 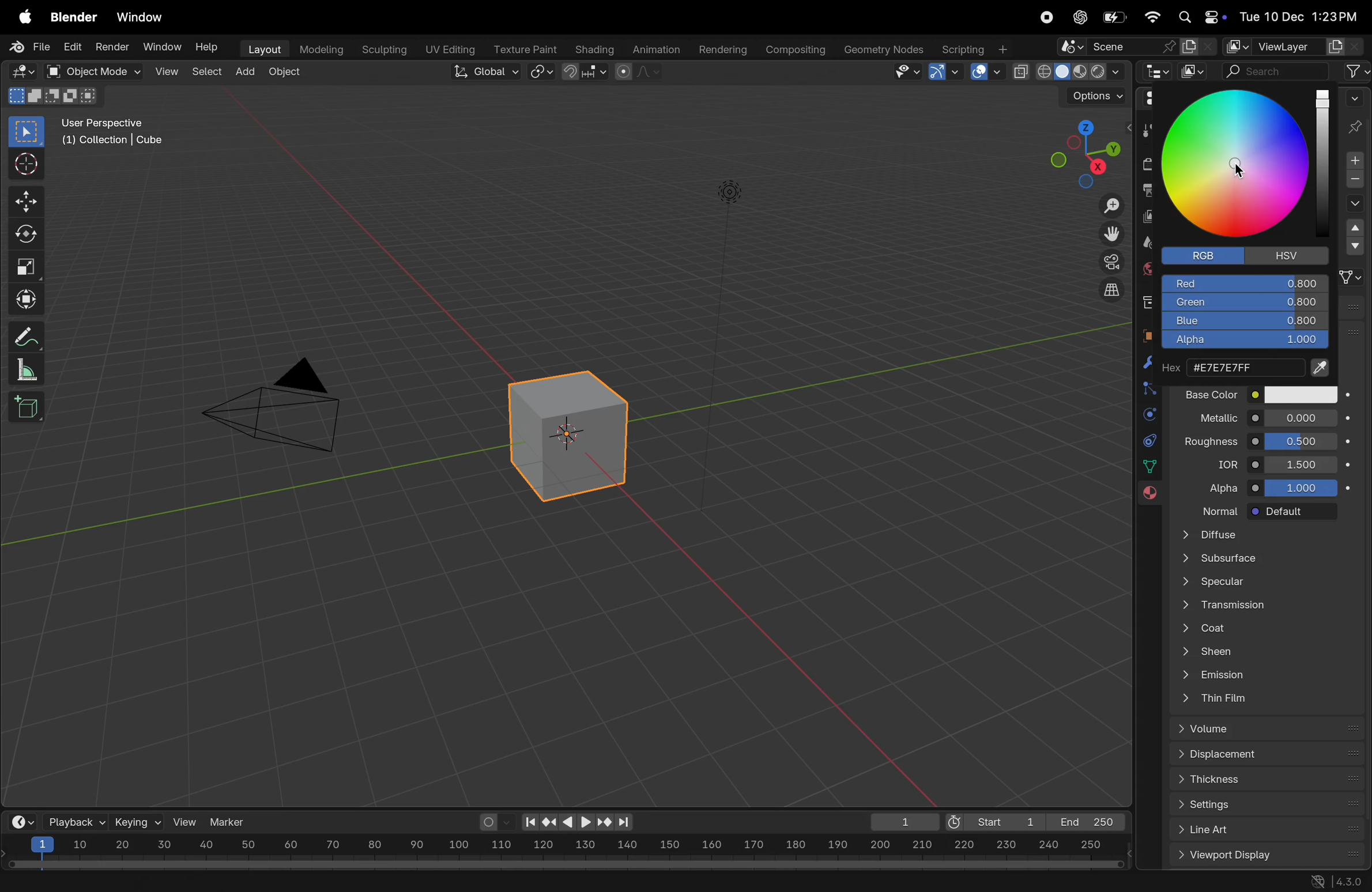 What do you see at coordinates (1303, 440) in the screenshot?
I see `0.000` at bounding box center [1303, 440].